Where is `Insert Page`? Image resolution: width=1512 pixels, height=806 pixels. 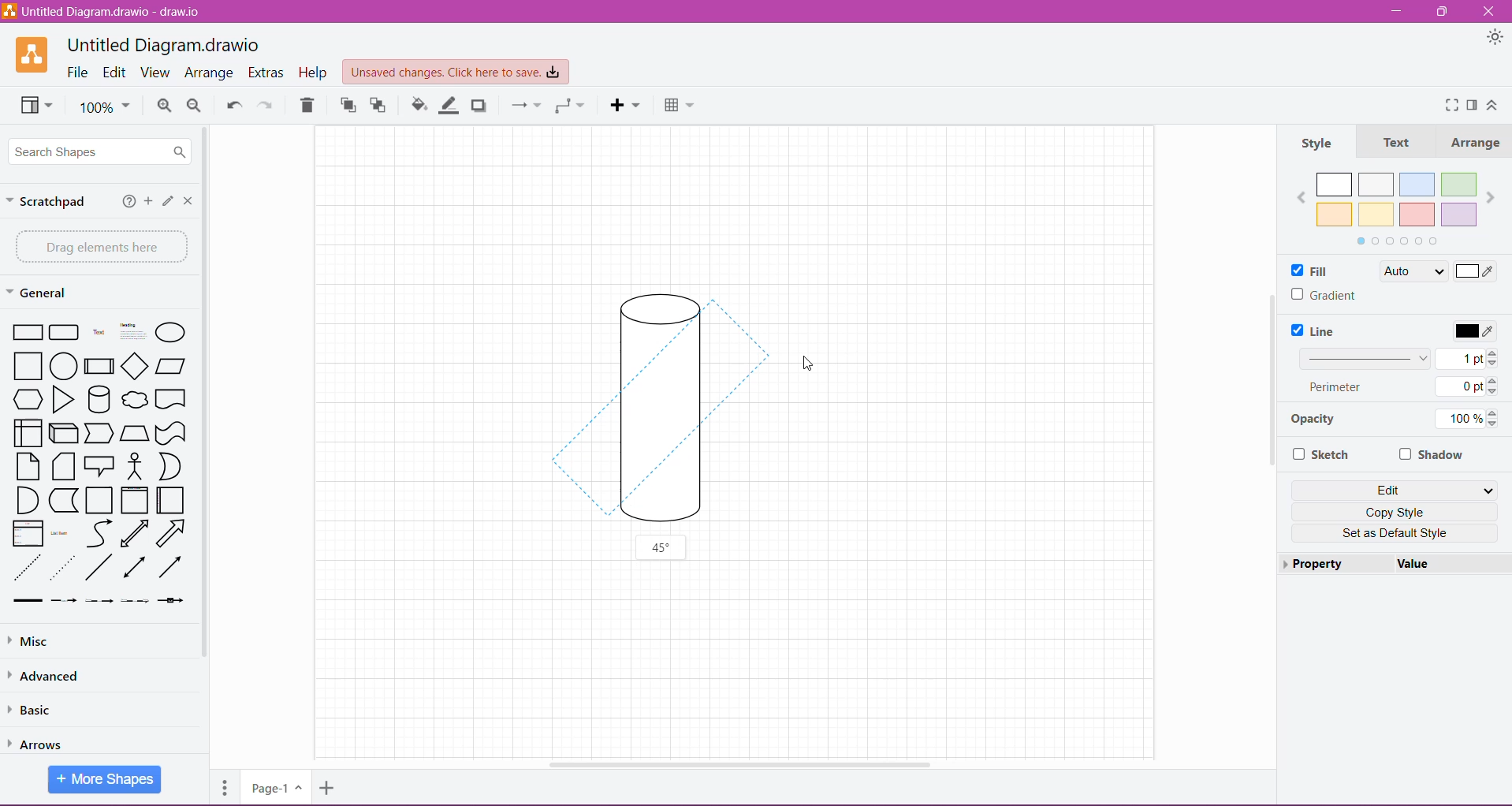 Insert Page is located at coordinates (326, 790).